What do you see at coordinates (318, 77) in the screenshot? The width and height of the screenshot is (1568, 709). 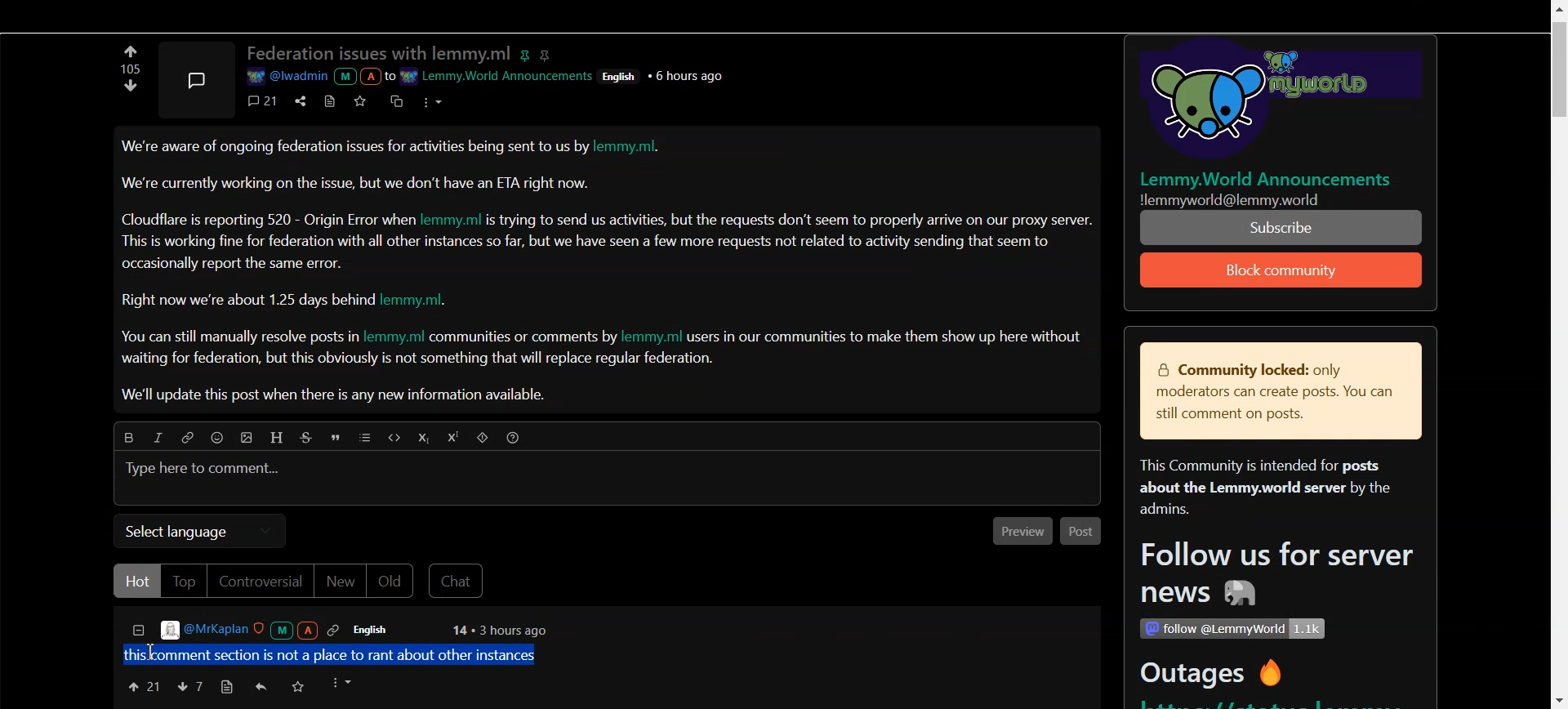 I see `a @iwaamin` at bounding box center [318, 77].